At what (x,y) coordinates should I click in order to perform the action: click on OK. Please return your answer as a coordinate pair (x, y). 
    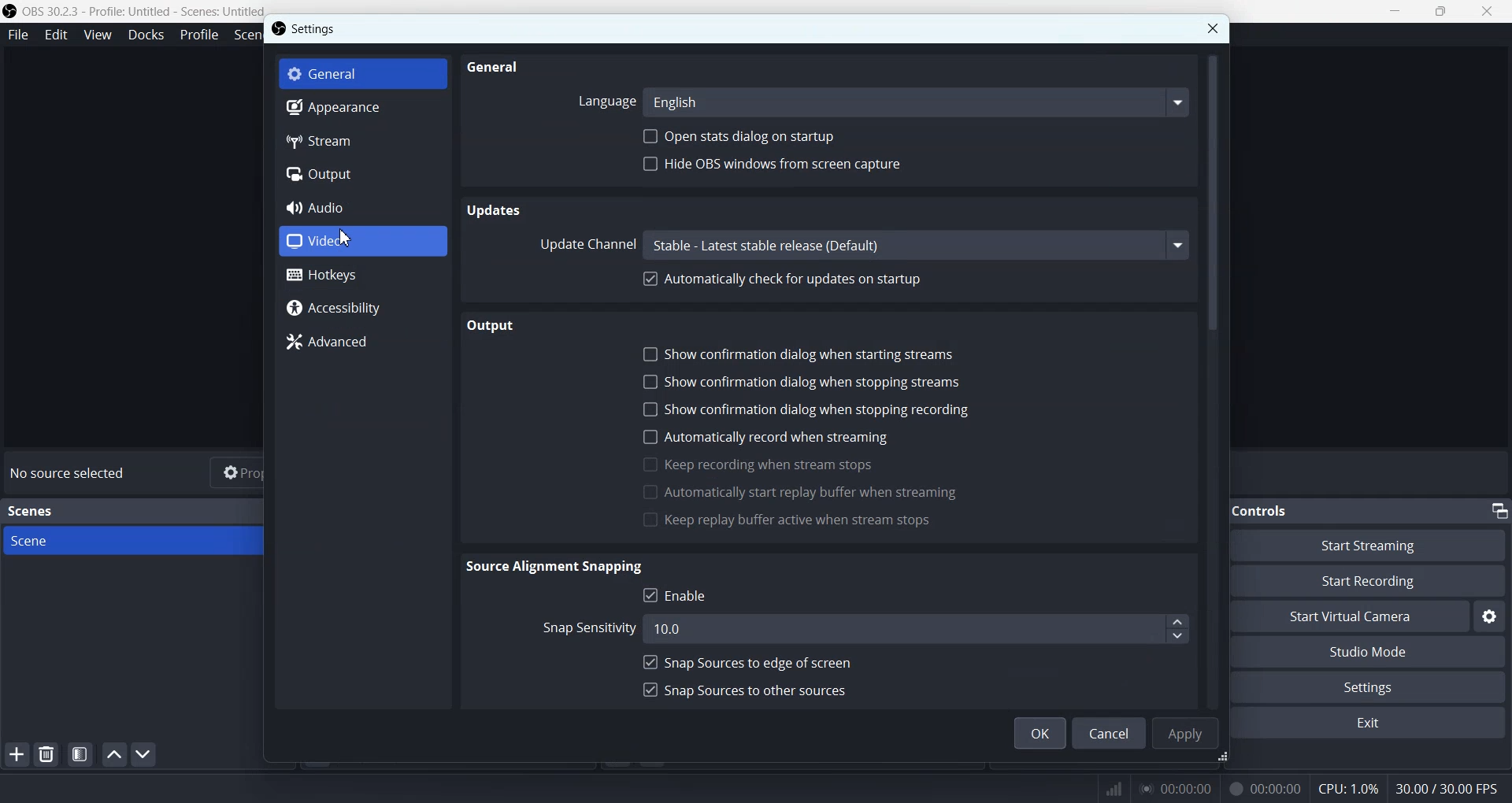
    Looking at the image, I should click on (1039, 733).